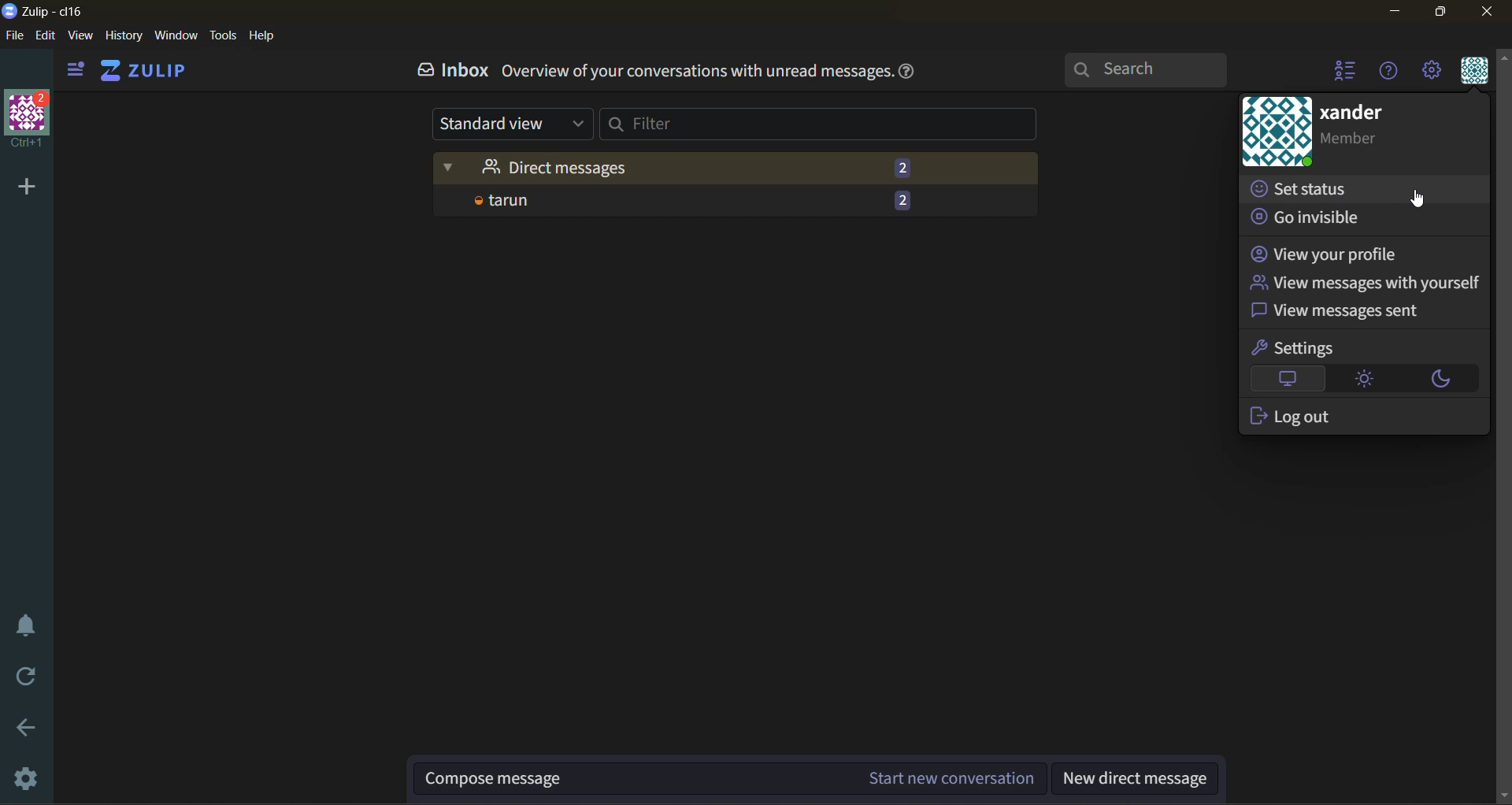 Image resolution: width=1512 pixels, height=805 pixels. What do you see at coordinates (50, 36) in the screenshot?
I see `edit` at bounding box center [50, 36].